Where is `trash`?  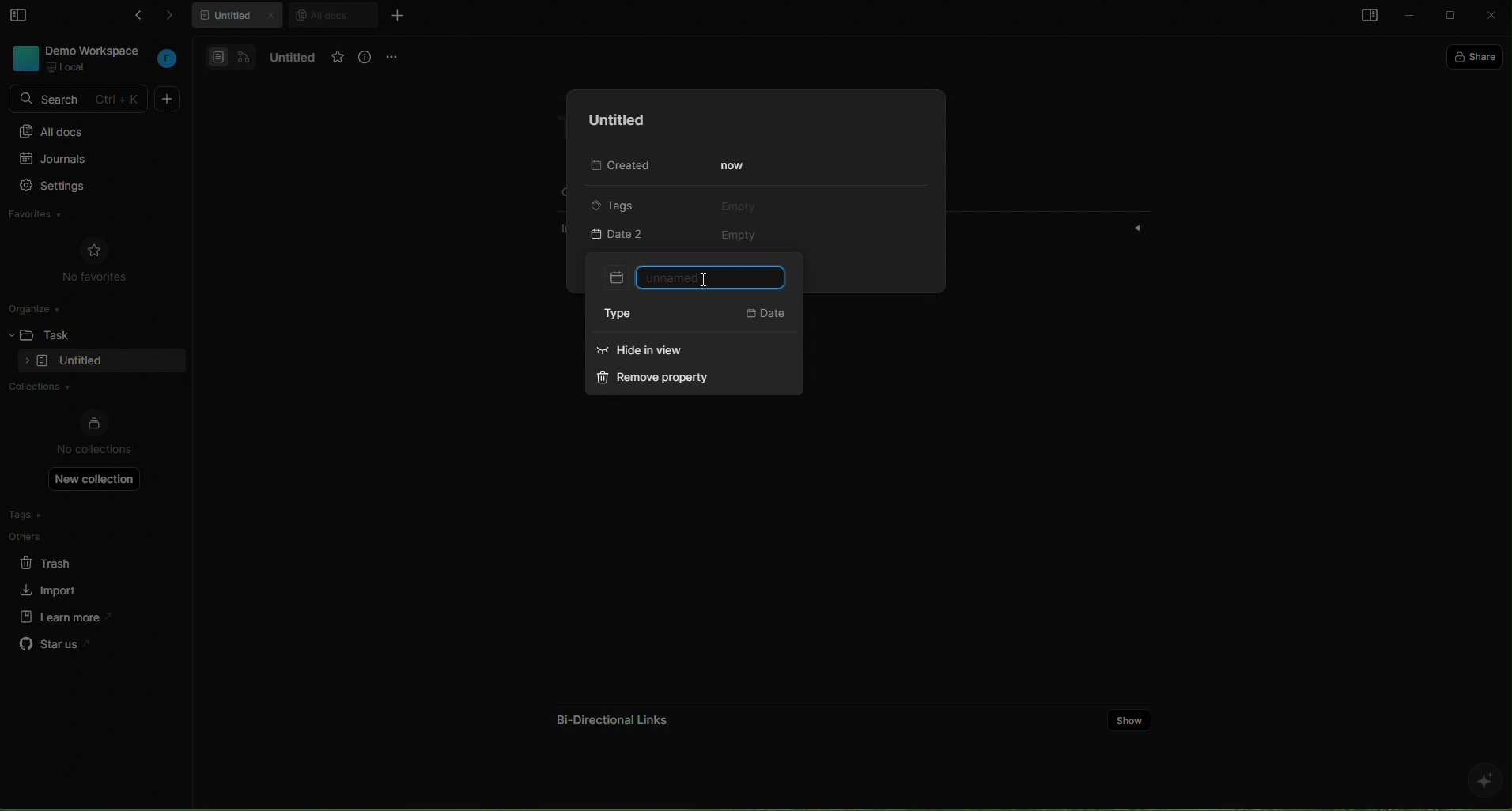
trash is located at coordinates (59, 560).